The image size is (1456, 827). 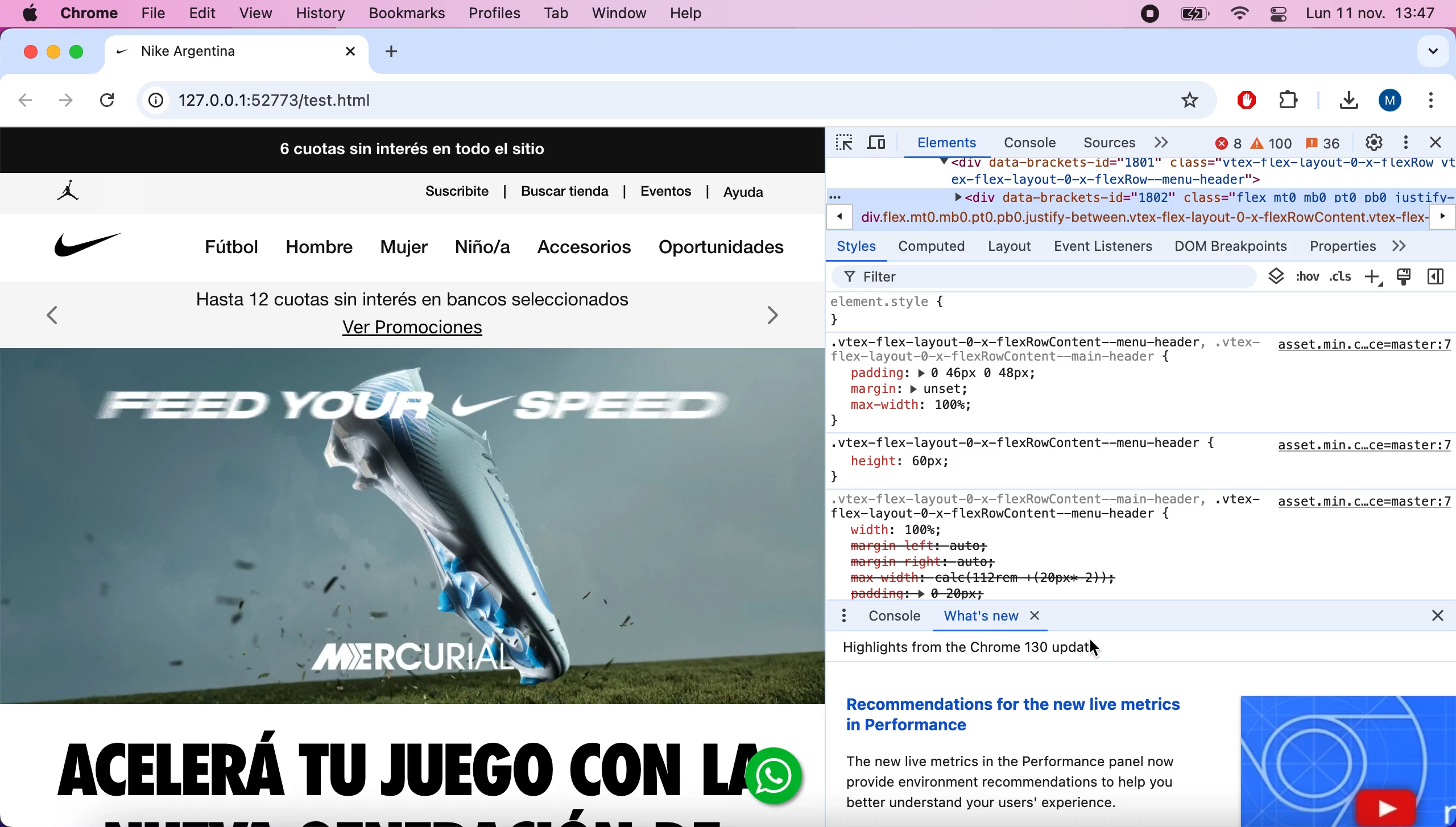 What do you see at coordinates (1440, 144) in the screenshot?
I see `close` at bounding box center [1440, 144].